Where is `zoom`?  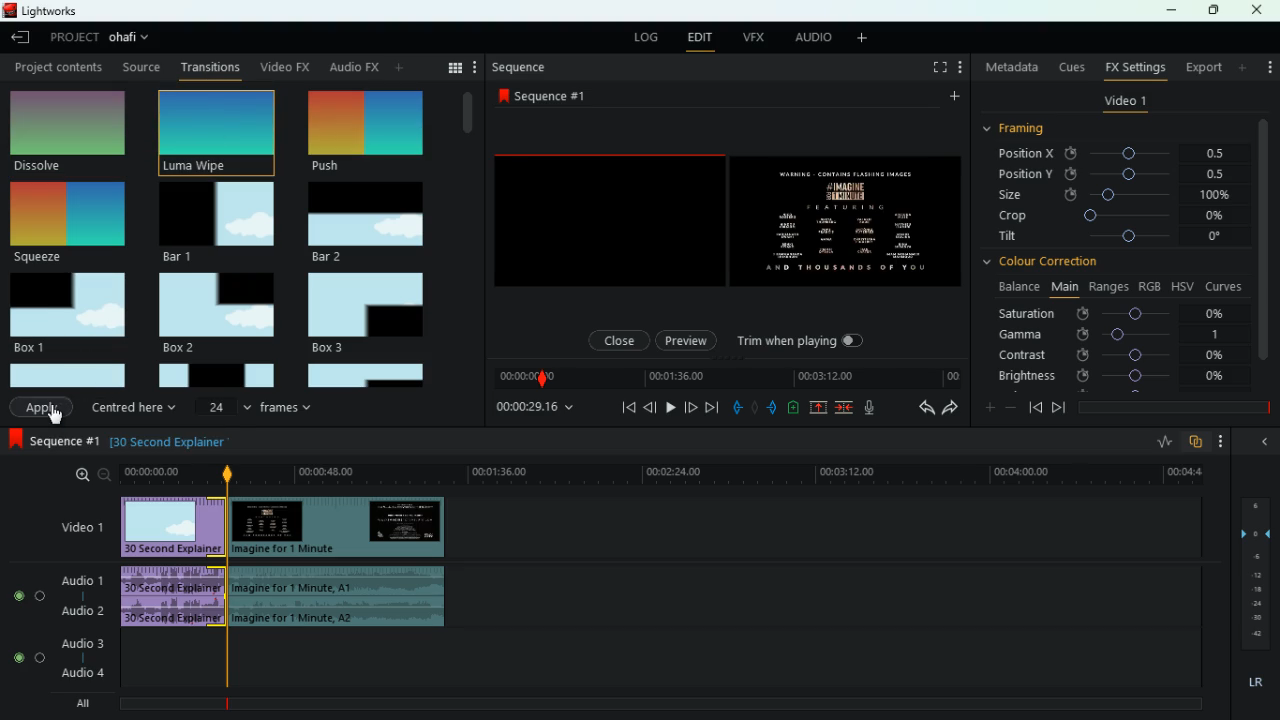
zoom is located at coordinates (90, 475).